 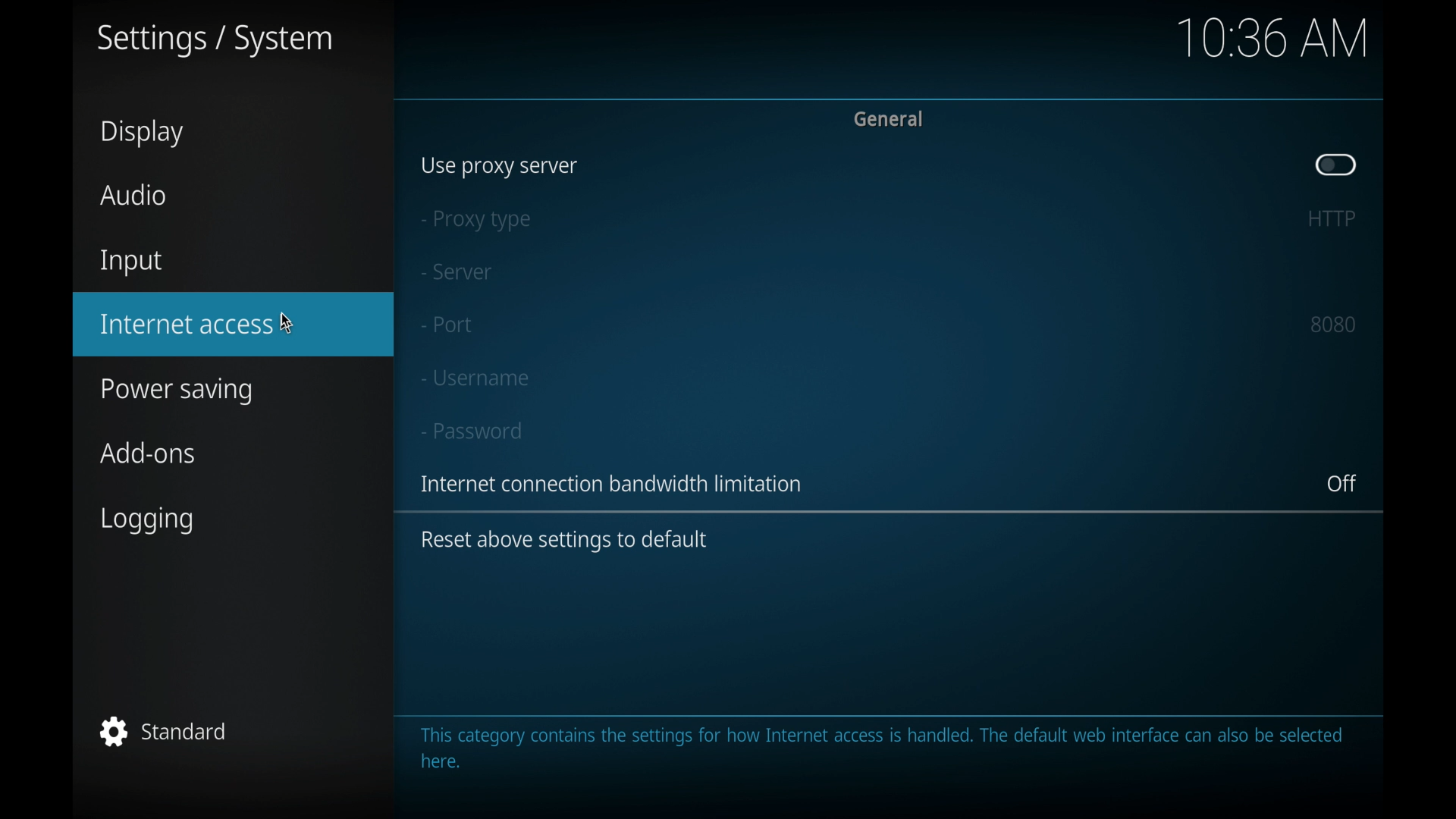 I want to click on off, so click(x=1342, y=484).